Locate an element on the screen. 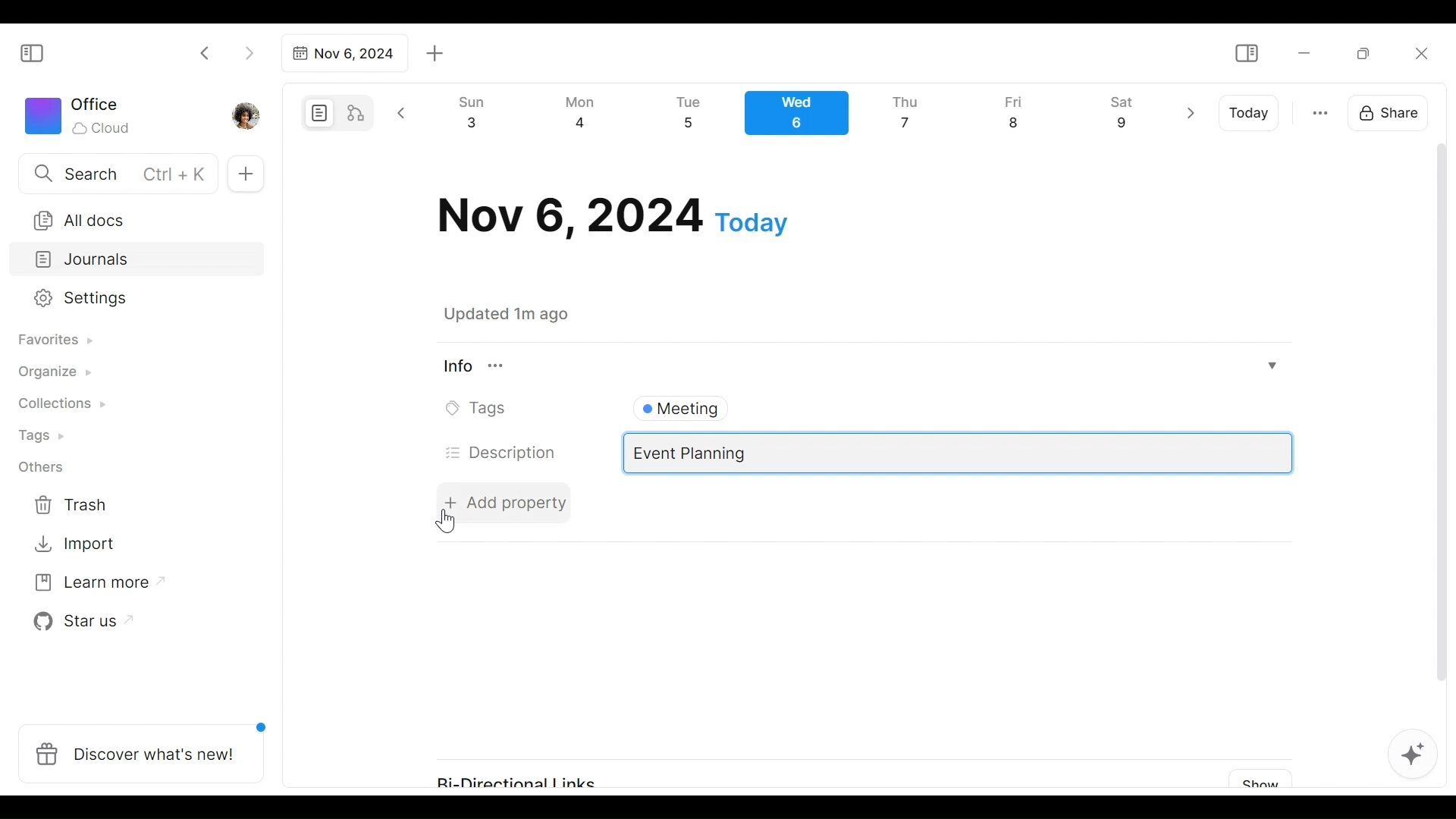  Collections is located at coordinates (60, 406).